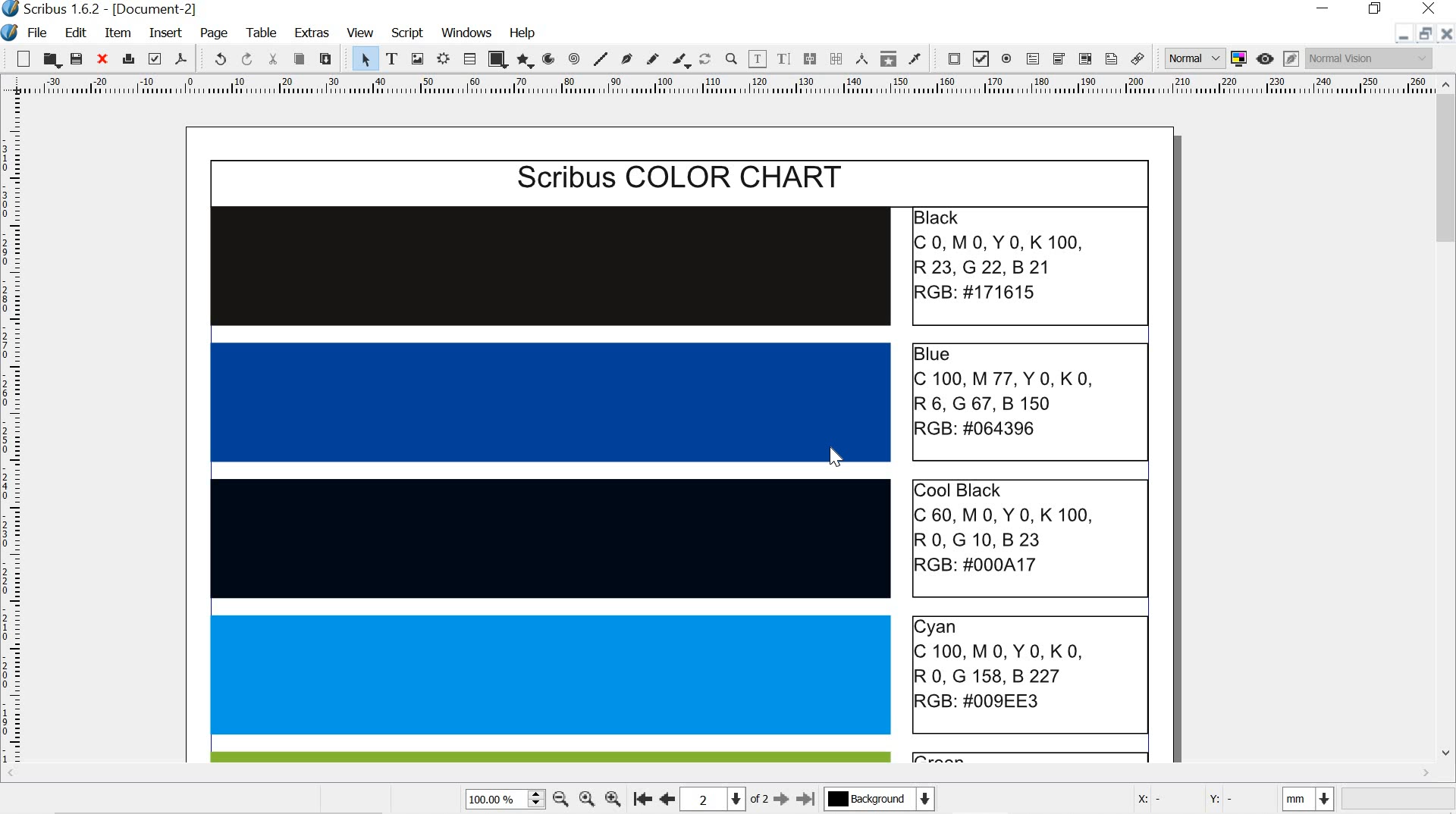  Describe the element at coordinates (409, 33) in the screenshot. I see `script` at that location.